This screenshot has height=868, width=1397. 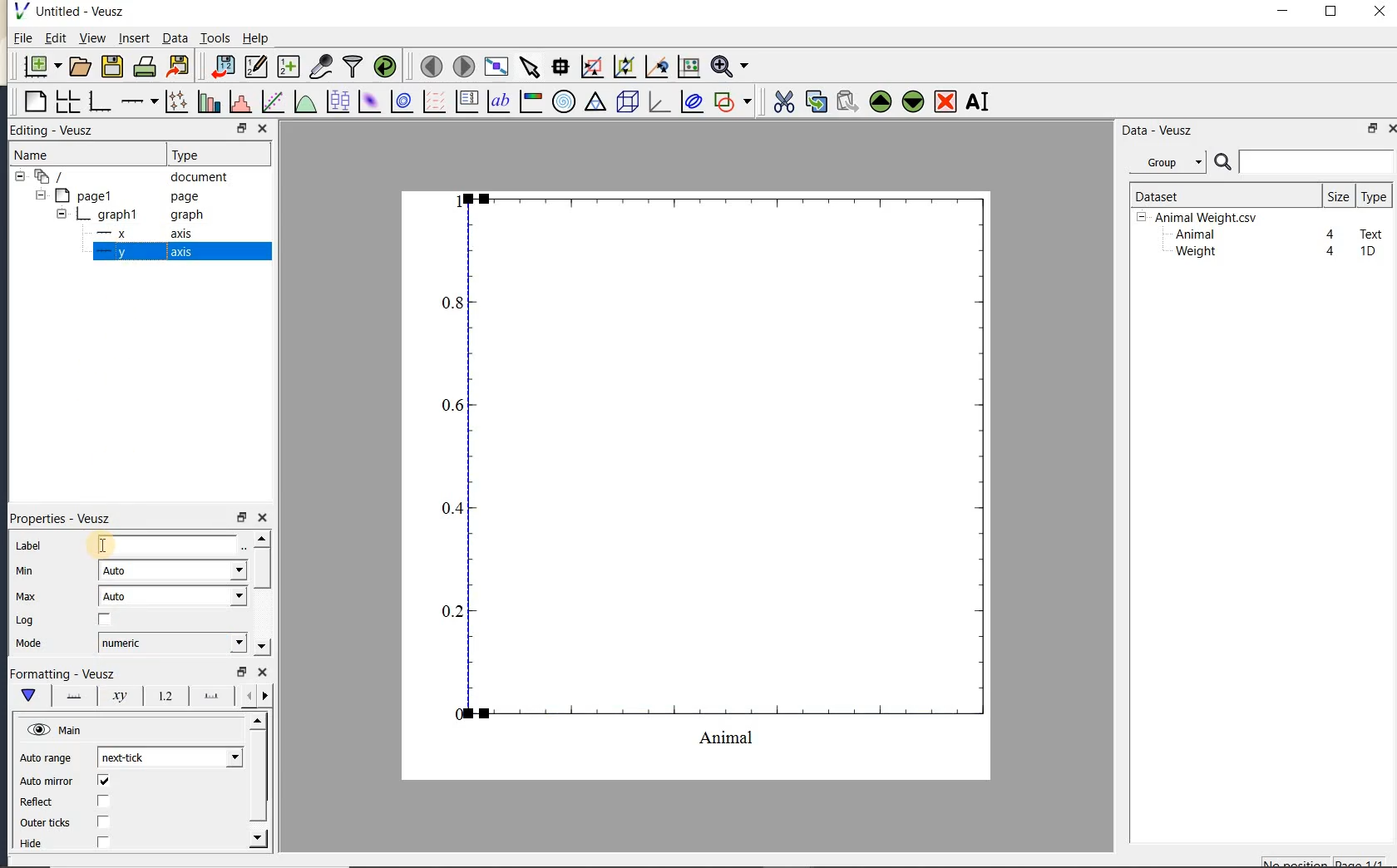 I want to click on open a document, so click(x=78, y=67).